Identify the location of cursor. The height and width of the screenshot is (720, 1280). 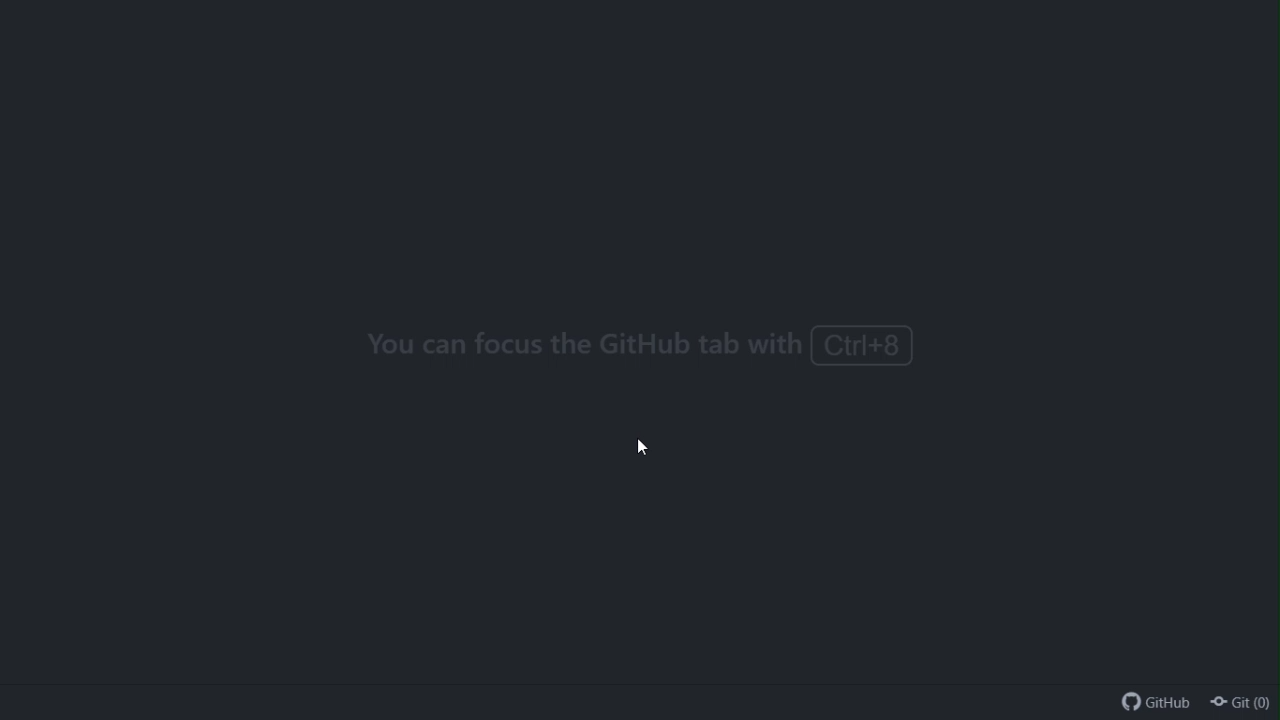
(642, 449).